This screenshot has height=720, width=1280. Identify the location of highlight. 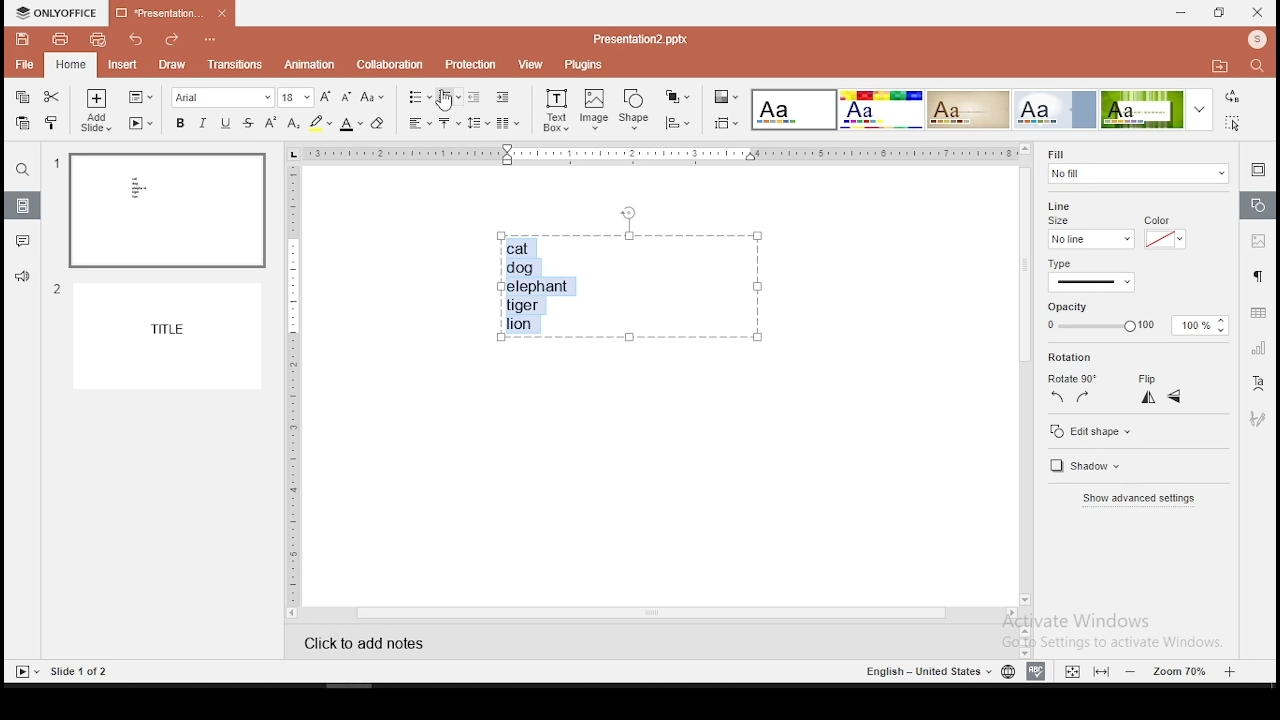
(320, 123).